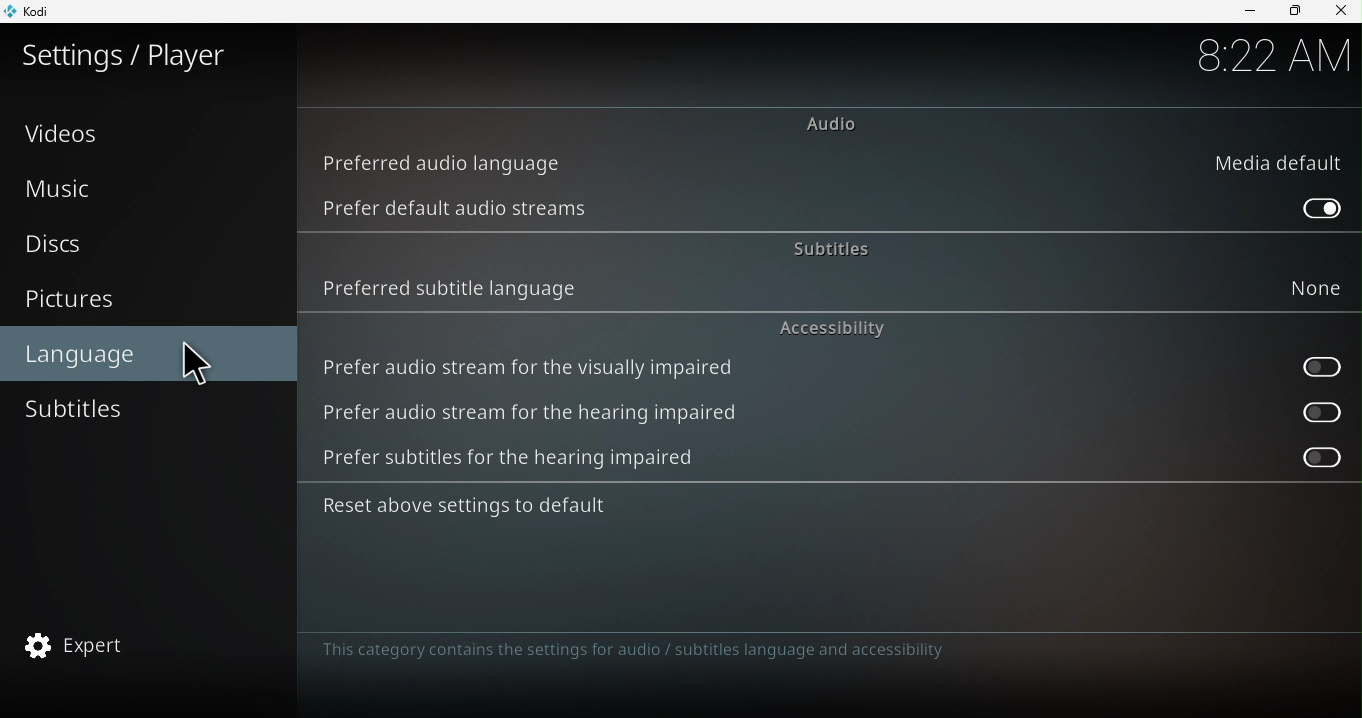 Image resolution: width=1362 pixels, height=718 pixels. Describe the element at coordinates (834, 161) in the screenshot. I see `Preferred audio language : Media Default` at that location.